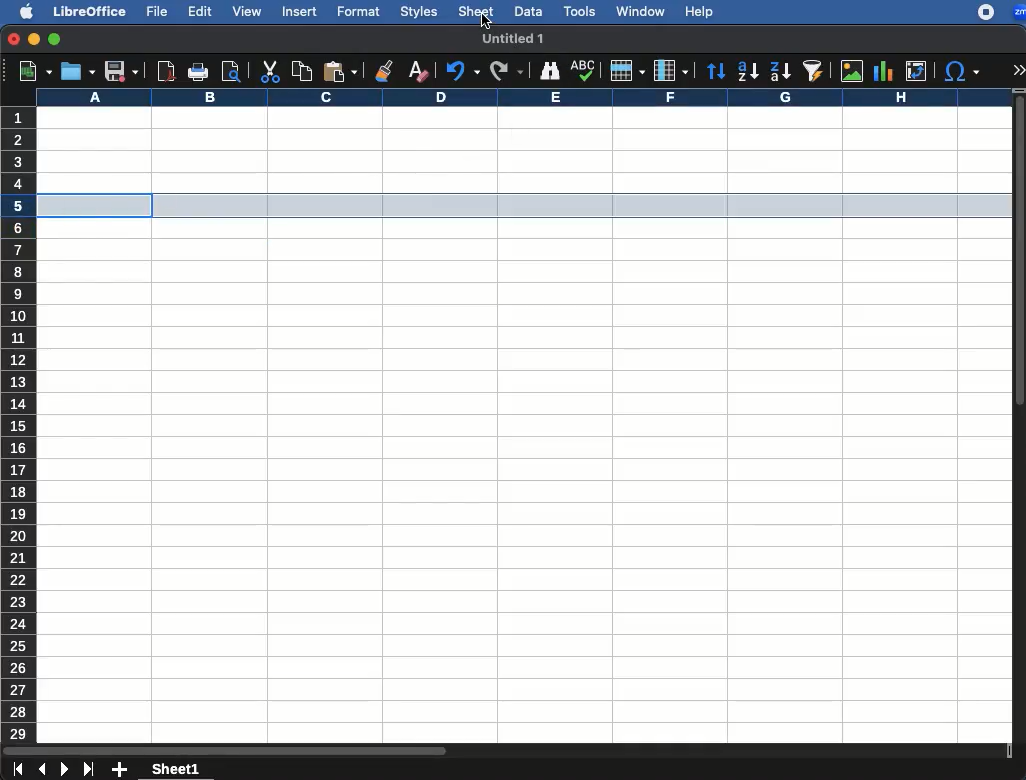 The image size is (1026, 780). I want to click on libreoffice, so click(88, 11).